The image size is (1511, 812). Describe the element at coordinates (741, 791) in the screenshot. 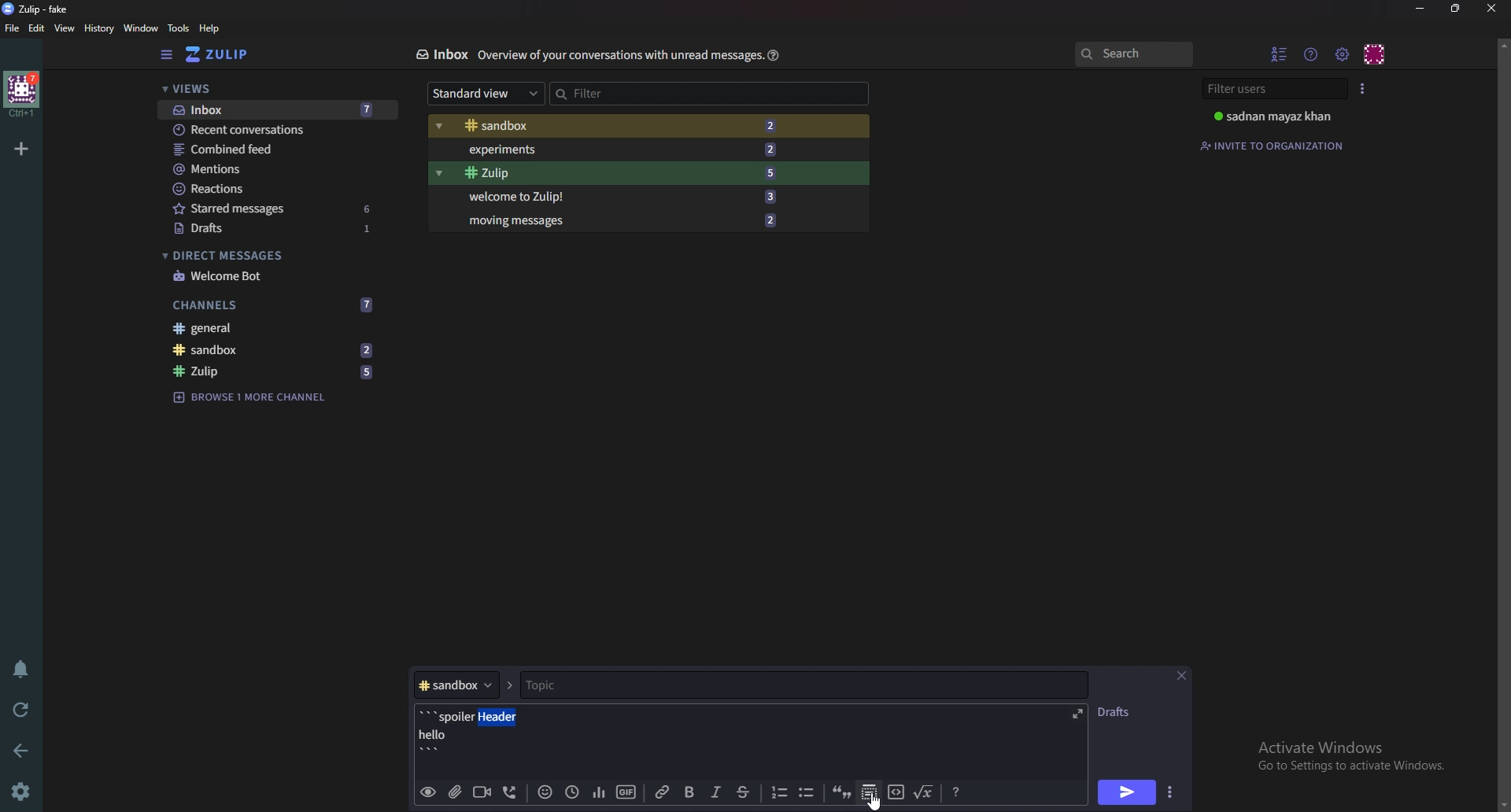

I see `Strike through` at that location.